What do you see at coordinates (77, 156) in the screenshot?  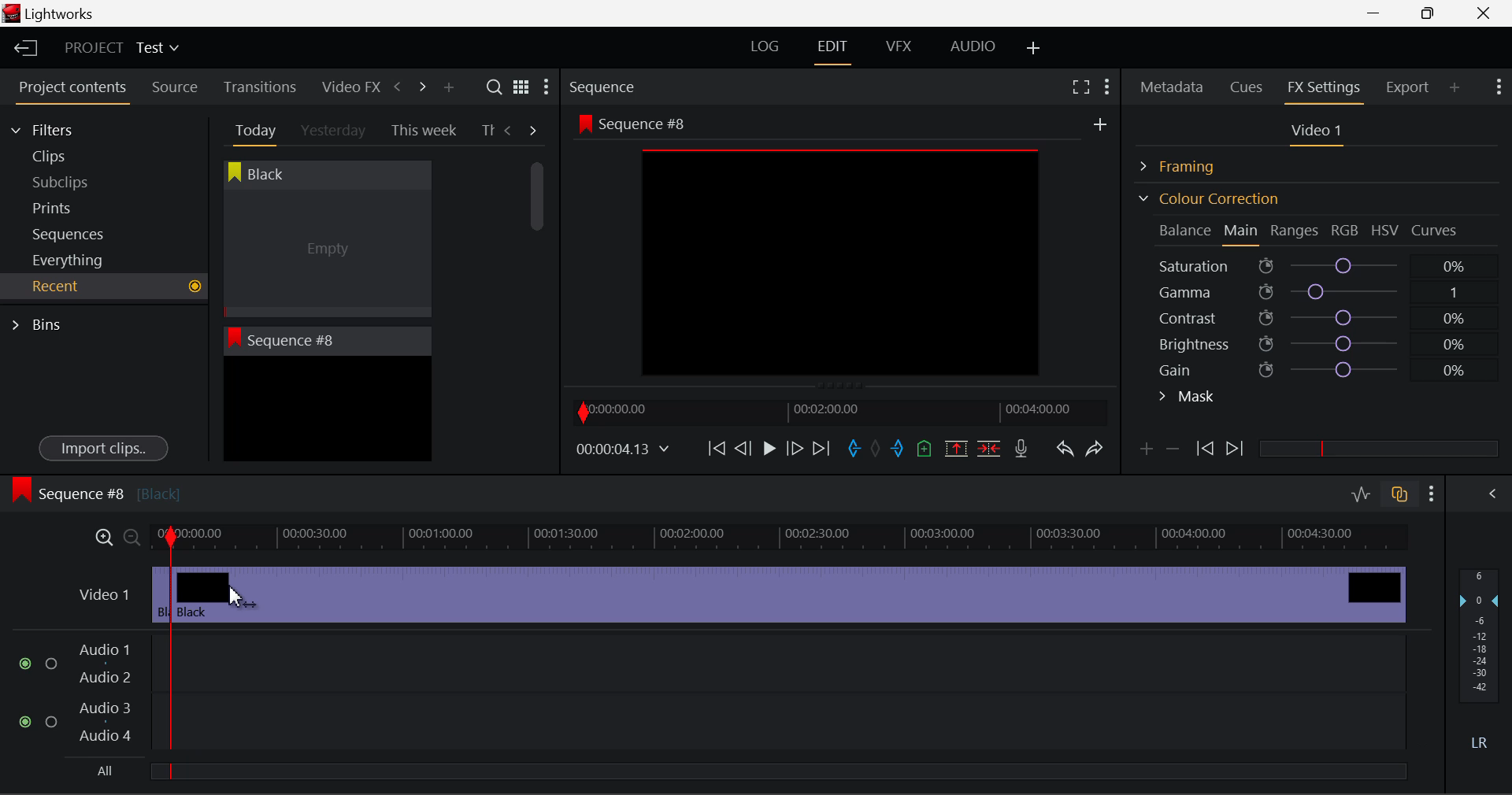 I see `Clips` at bounding box center [77, 156].